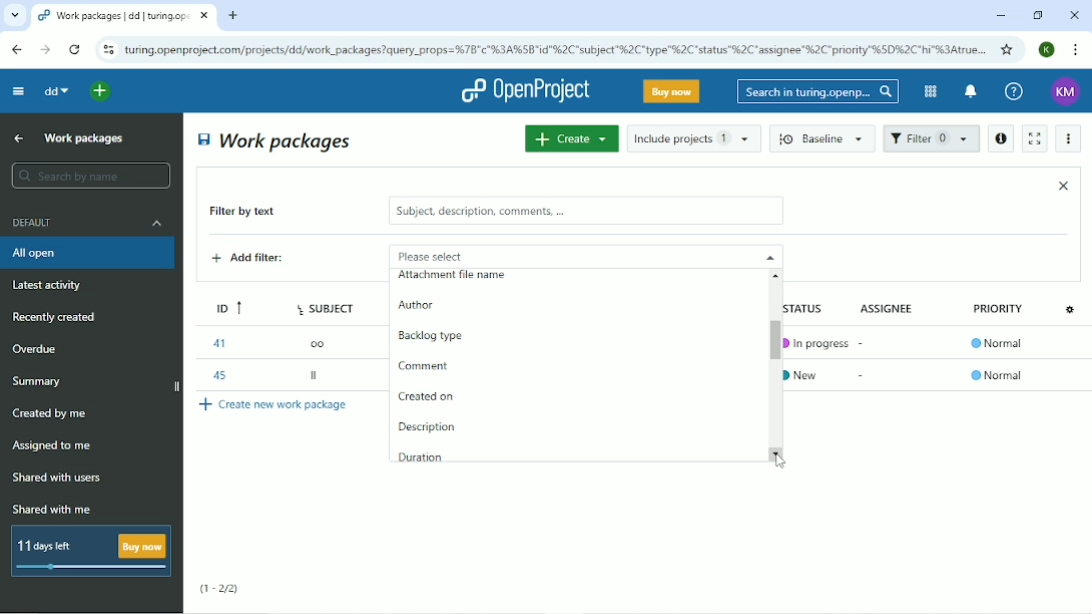  I want to click on Assignee, so click(891, 307).